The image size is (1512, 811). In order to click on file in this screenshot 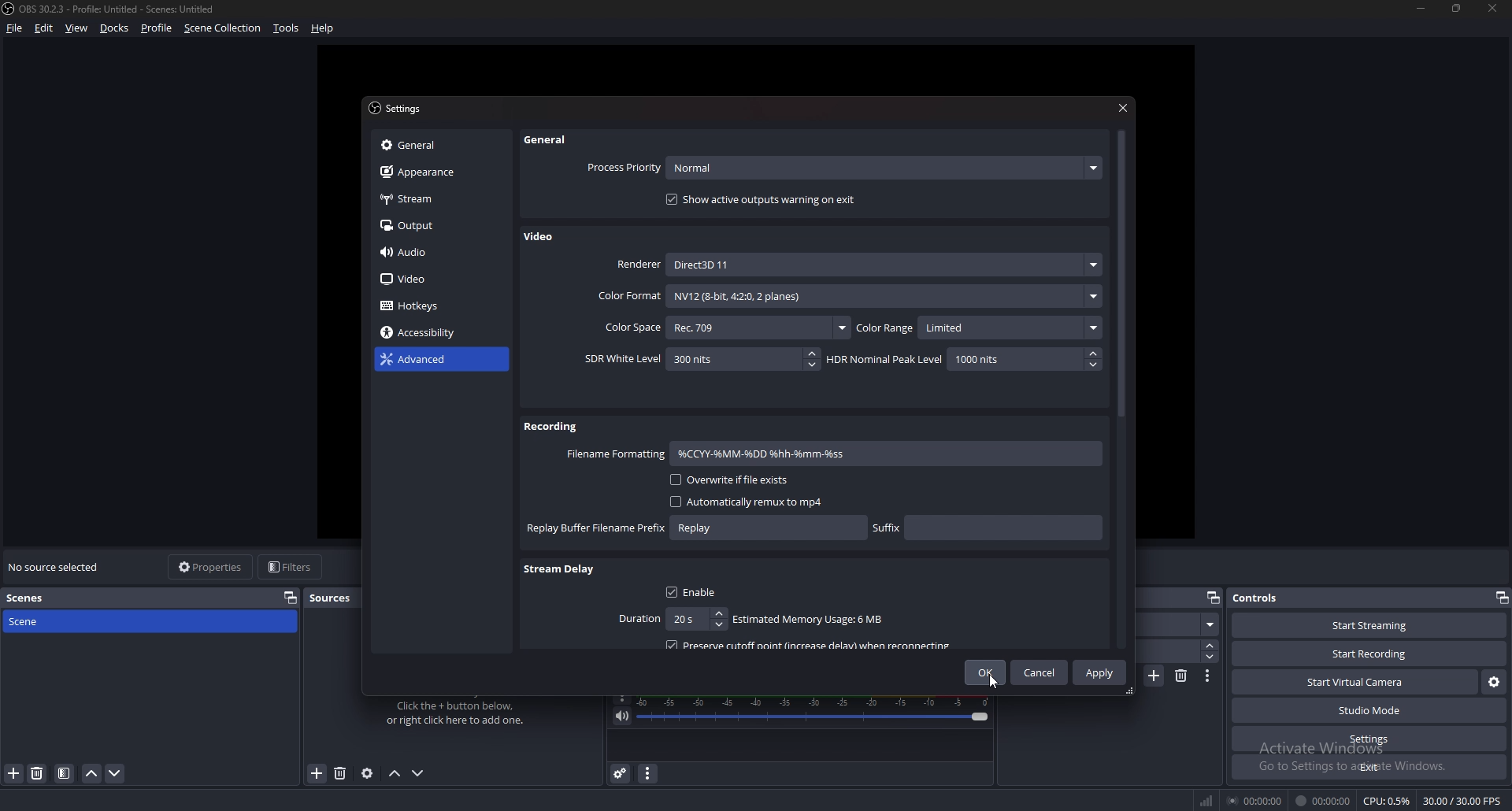, I will do `click(17, 28)`.